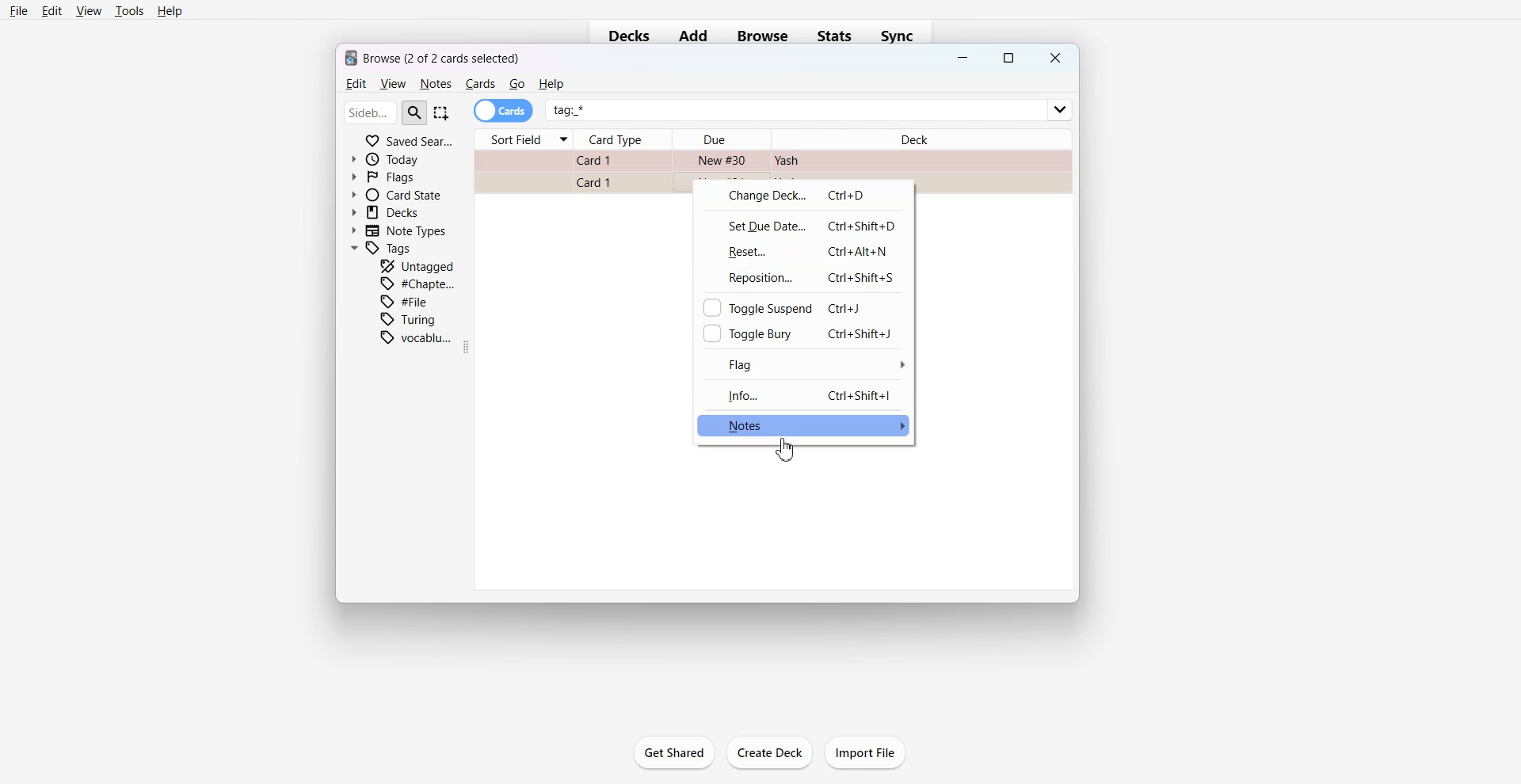  What do you see at coordinates (386, 112) in the screenshot?
I see `Search Bar` at bounding box center [386, 112].